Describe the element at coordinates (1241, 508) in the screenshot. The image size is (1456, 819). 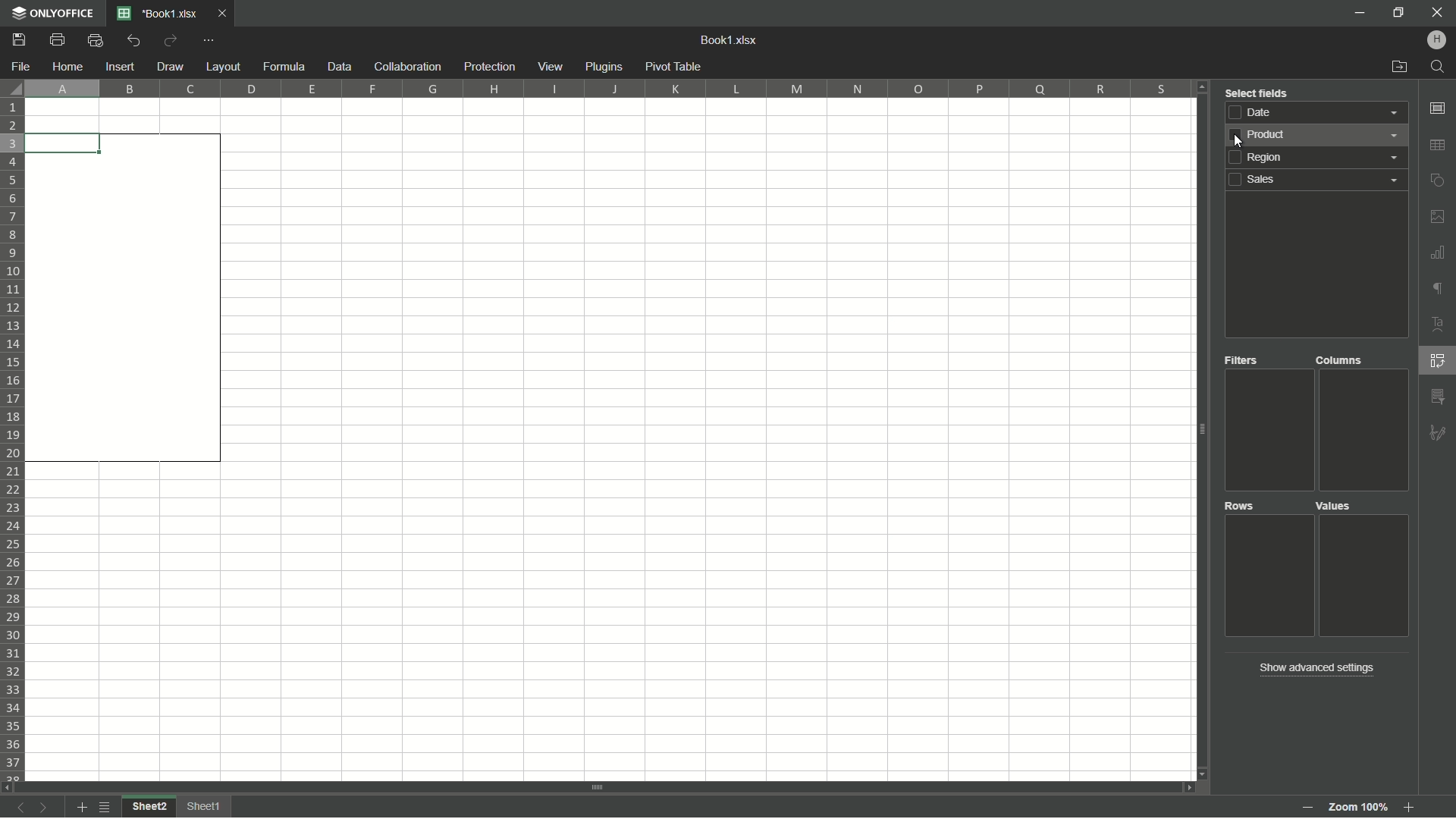
I see `rows` at that location.